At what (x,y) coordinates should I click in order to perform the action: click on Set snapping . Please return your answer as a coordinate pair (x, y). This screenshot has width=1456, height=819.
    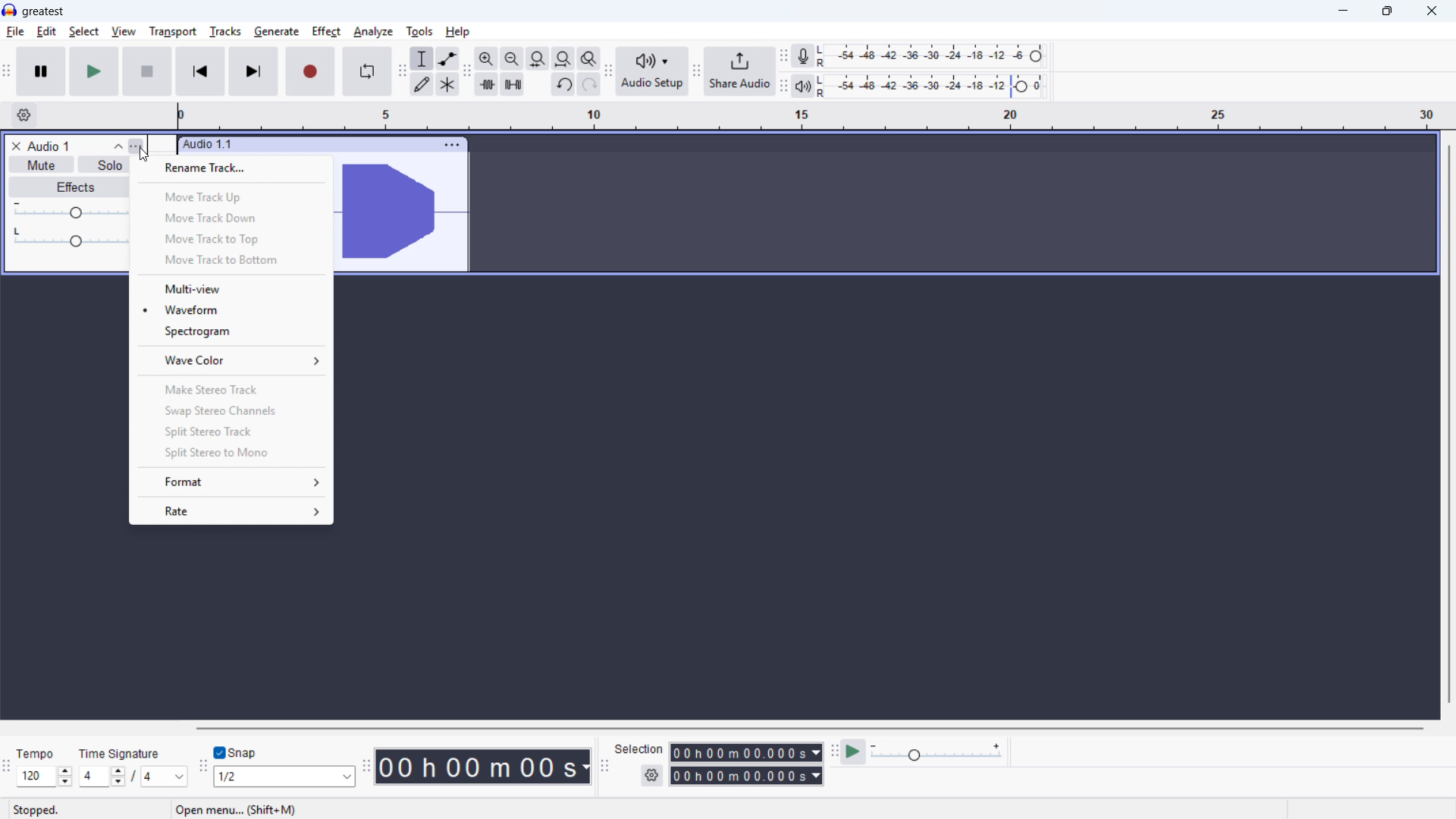
    Looking at the image, I should click on (284, 776).